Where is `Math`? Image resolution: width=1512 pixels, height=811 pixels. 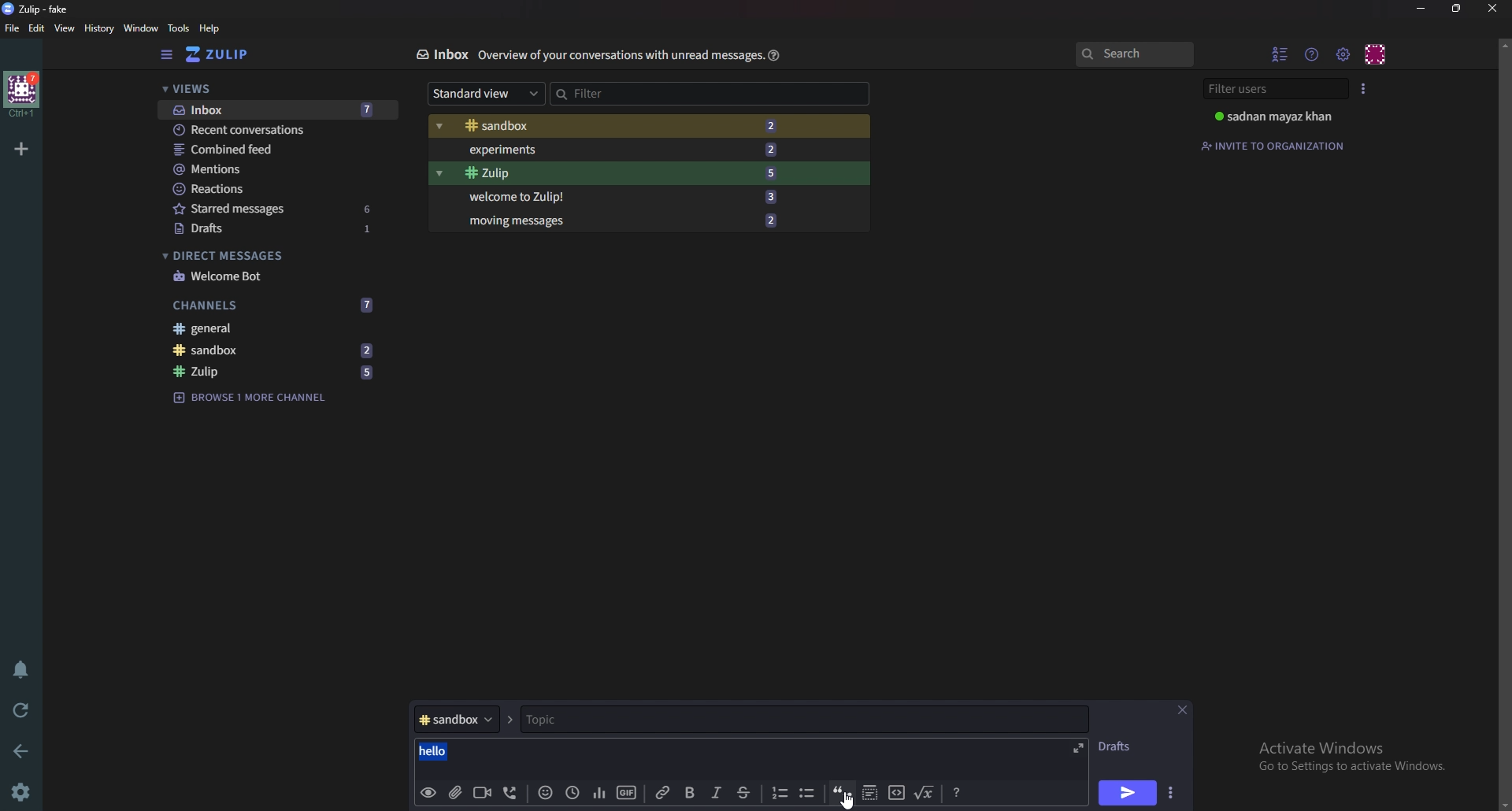 Math is located at coordinates (926, 794).